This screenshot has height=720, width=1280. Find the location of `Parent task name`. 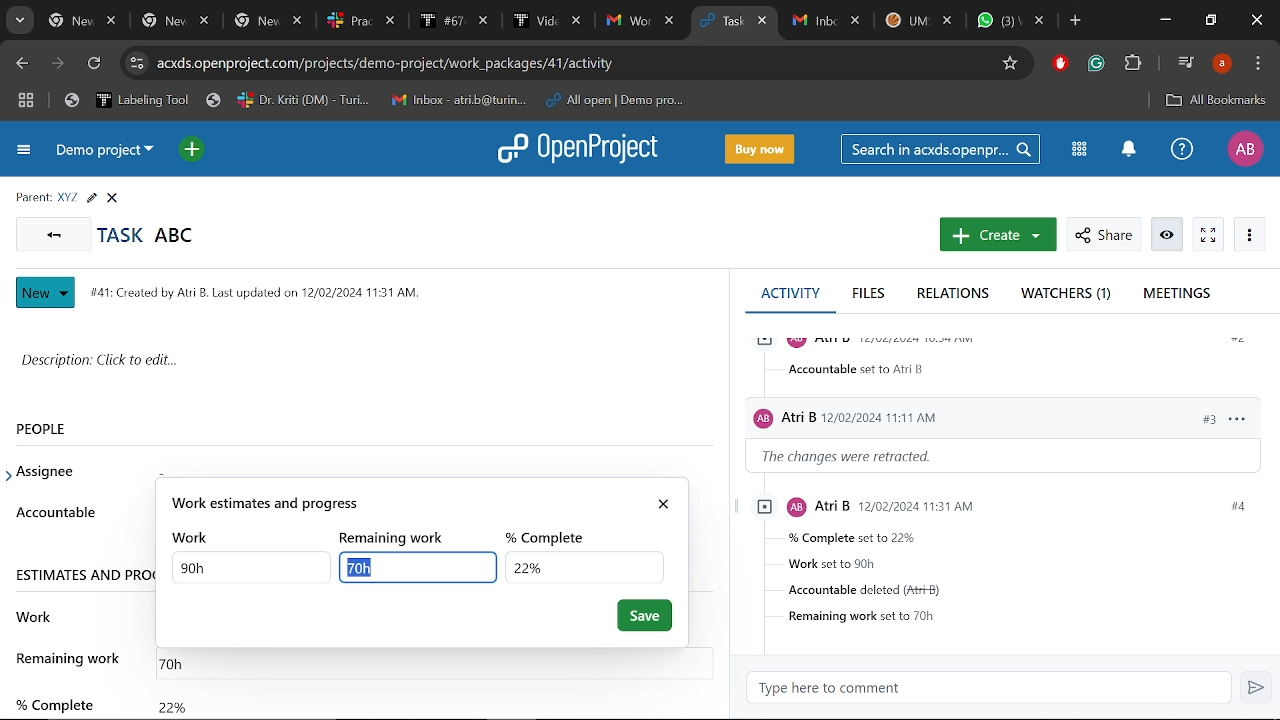

Parent task name is located at coordinates (66, 198).